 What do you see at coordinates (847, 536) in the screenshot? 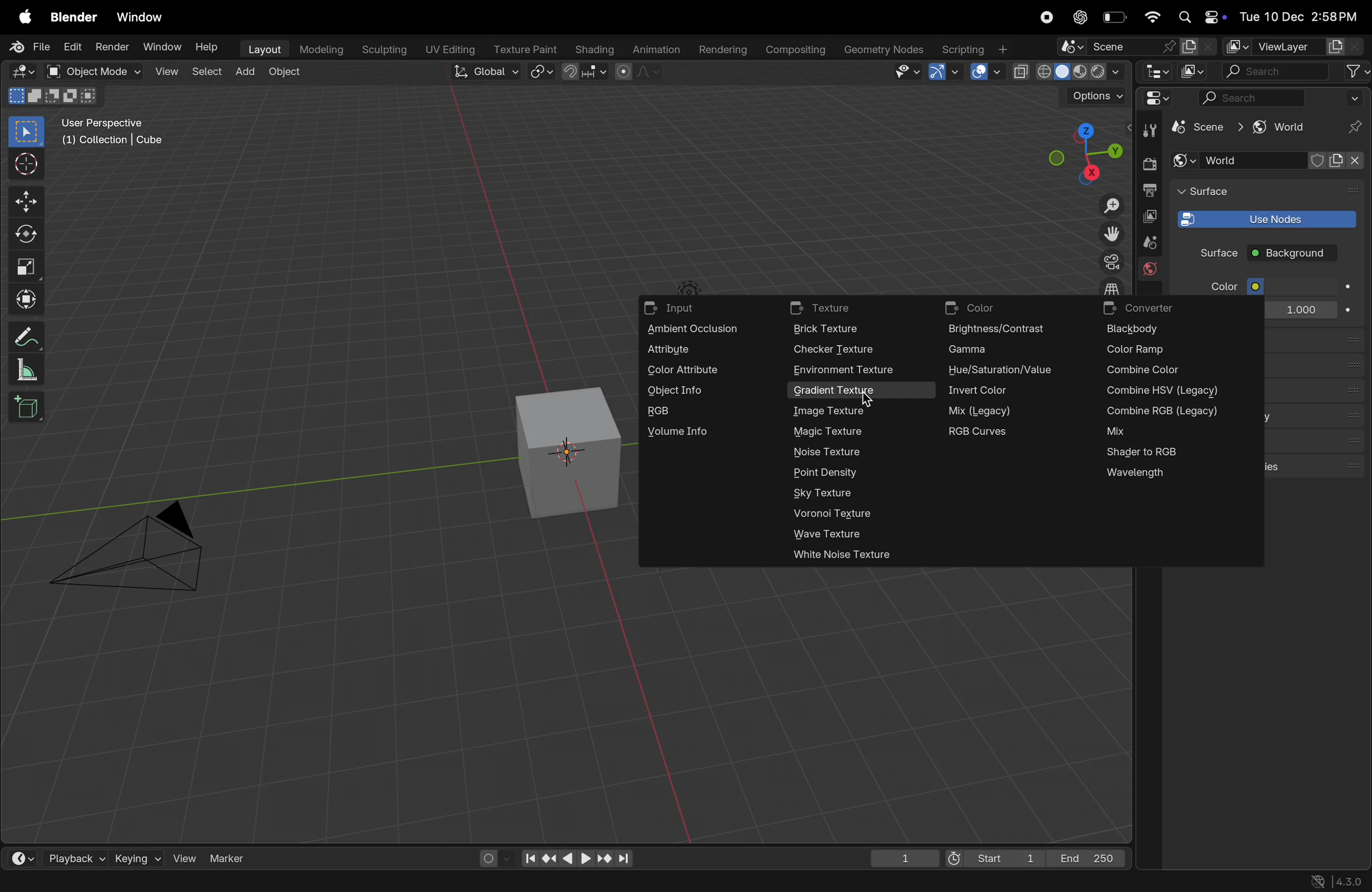
I see `Wave texture` at bounding box center [847, 536].